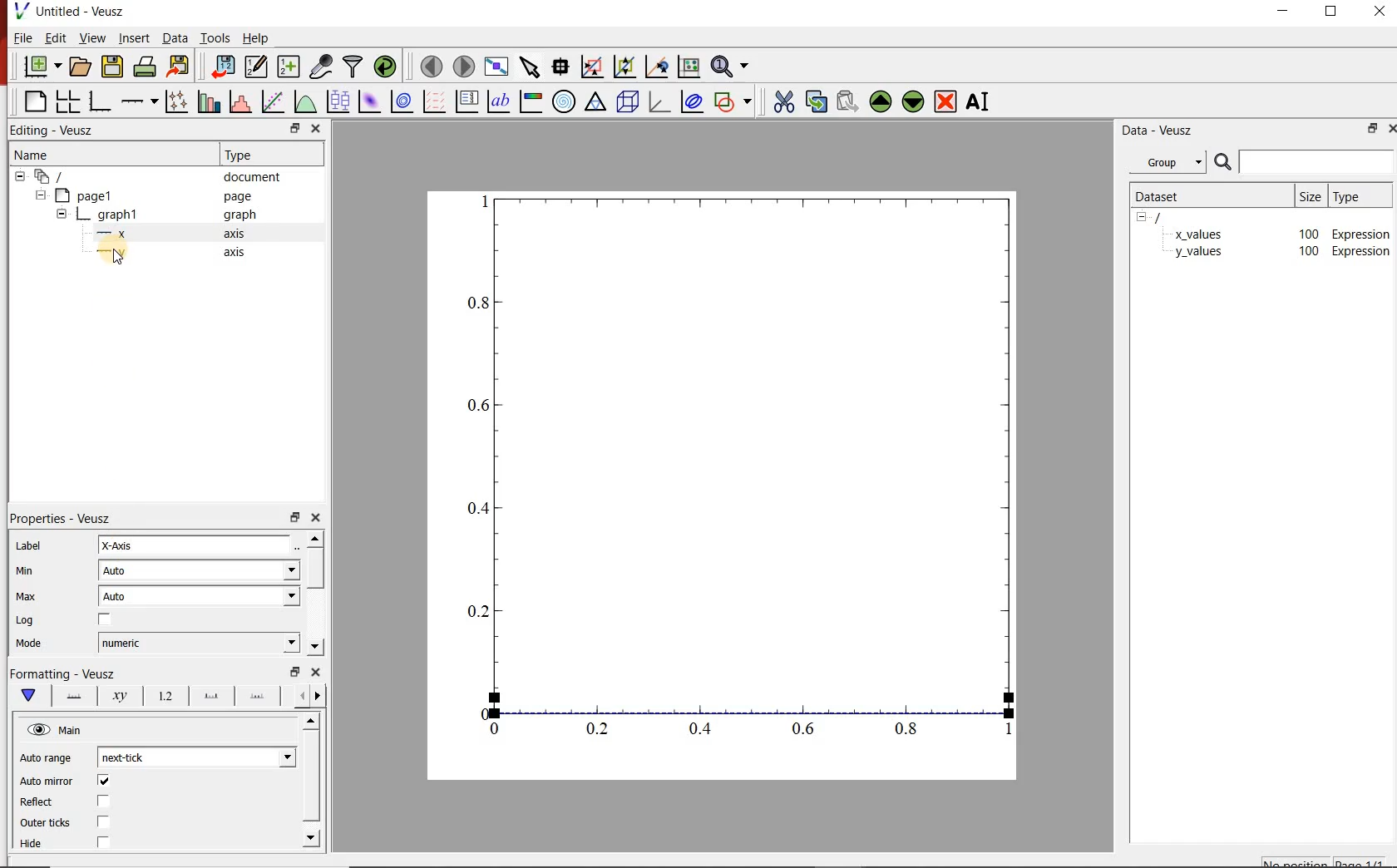  I want to click on major ticks, so click(212, 696).